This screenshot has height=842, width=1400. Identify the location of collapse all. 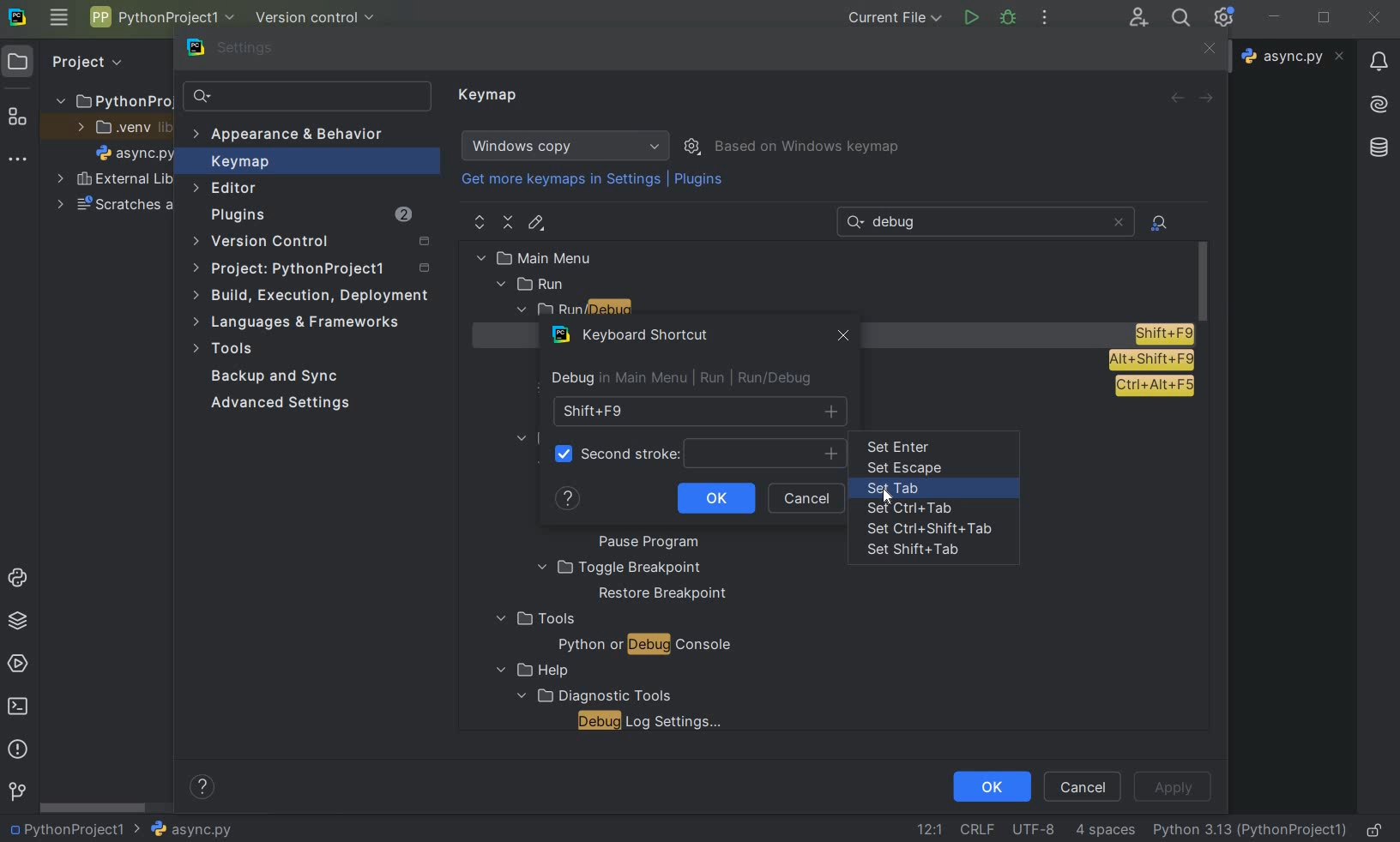
(509, 223).